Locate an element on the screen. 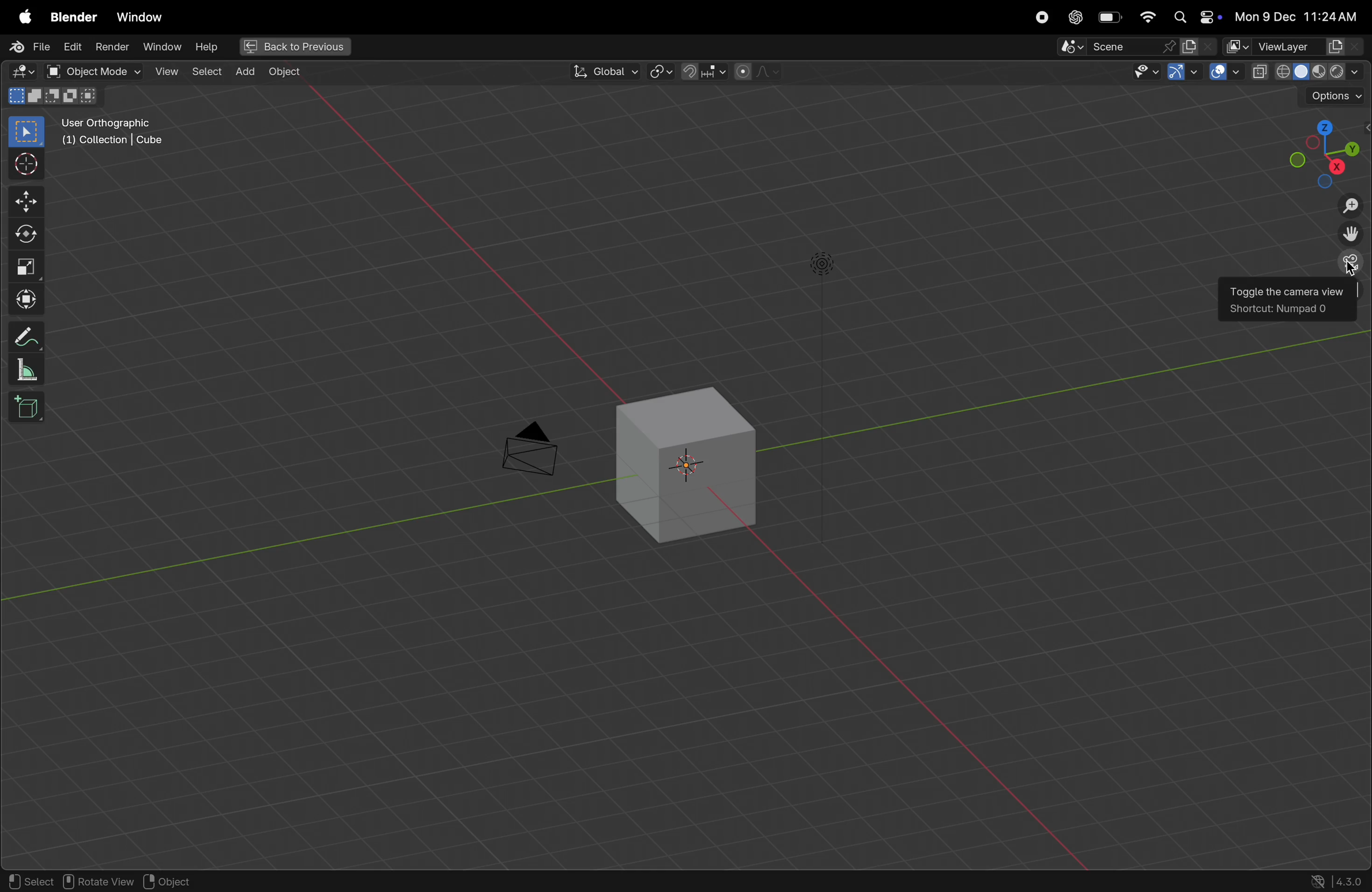  Toggle is located at coordinates (1259, 294).